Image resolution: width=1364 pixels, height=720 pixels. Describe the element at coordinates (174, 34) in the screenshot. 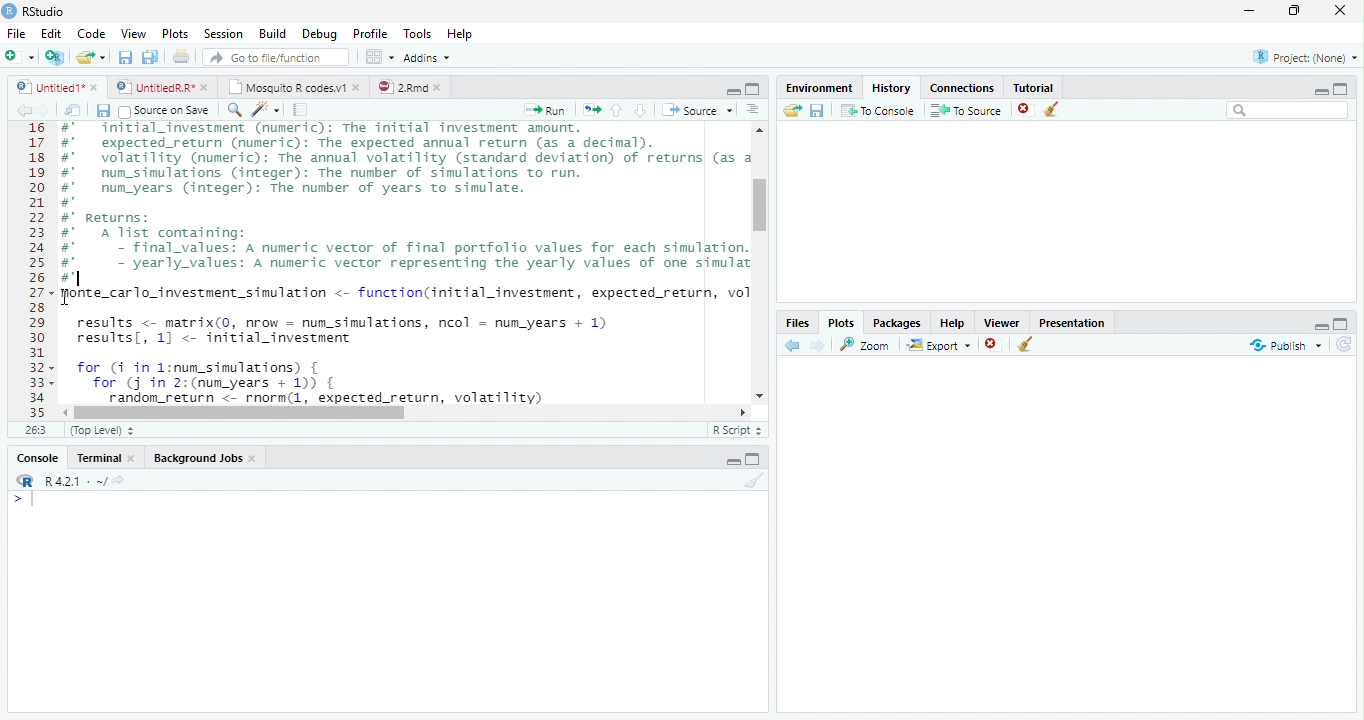

I see `Plots` at that location.